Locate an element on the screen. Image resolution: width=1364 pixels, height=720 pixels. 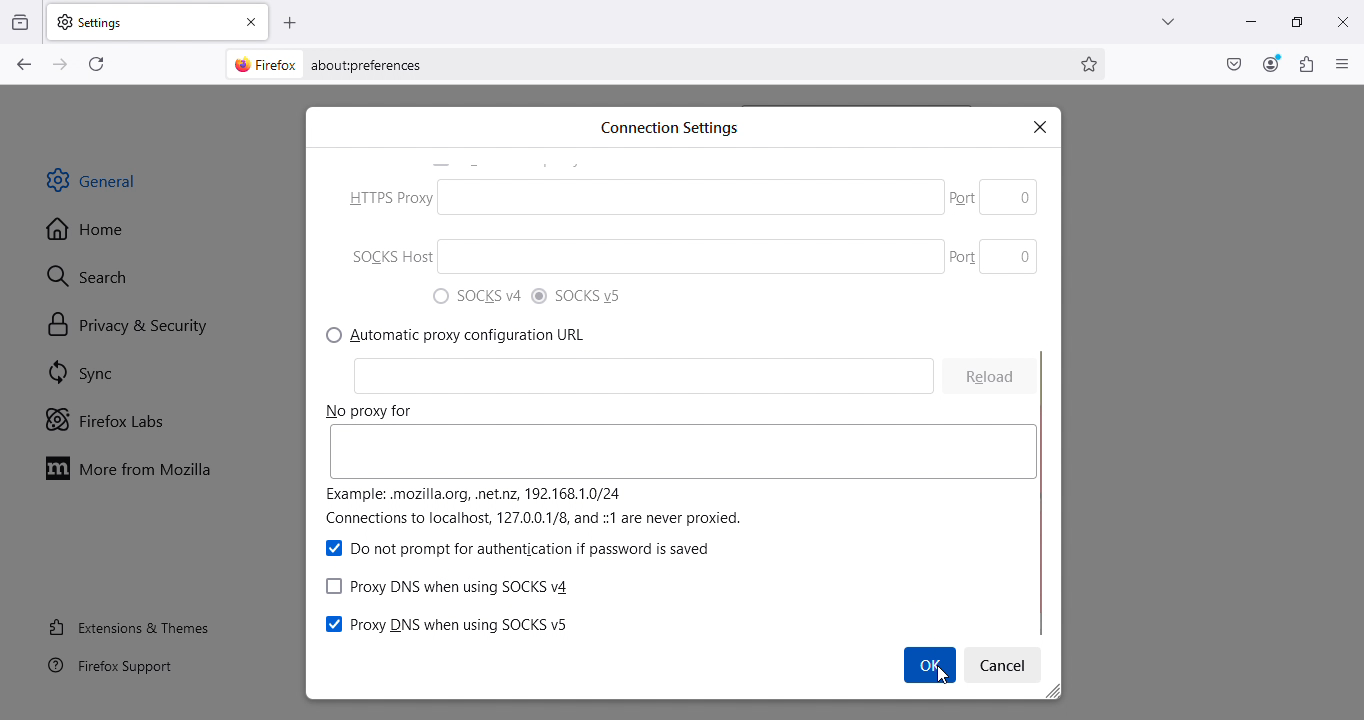
learn more is located at coordinates (546, 521).